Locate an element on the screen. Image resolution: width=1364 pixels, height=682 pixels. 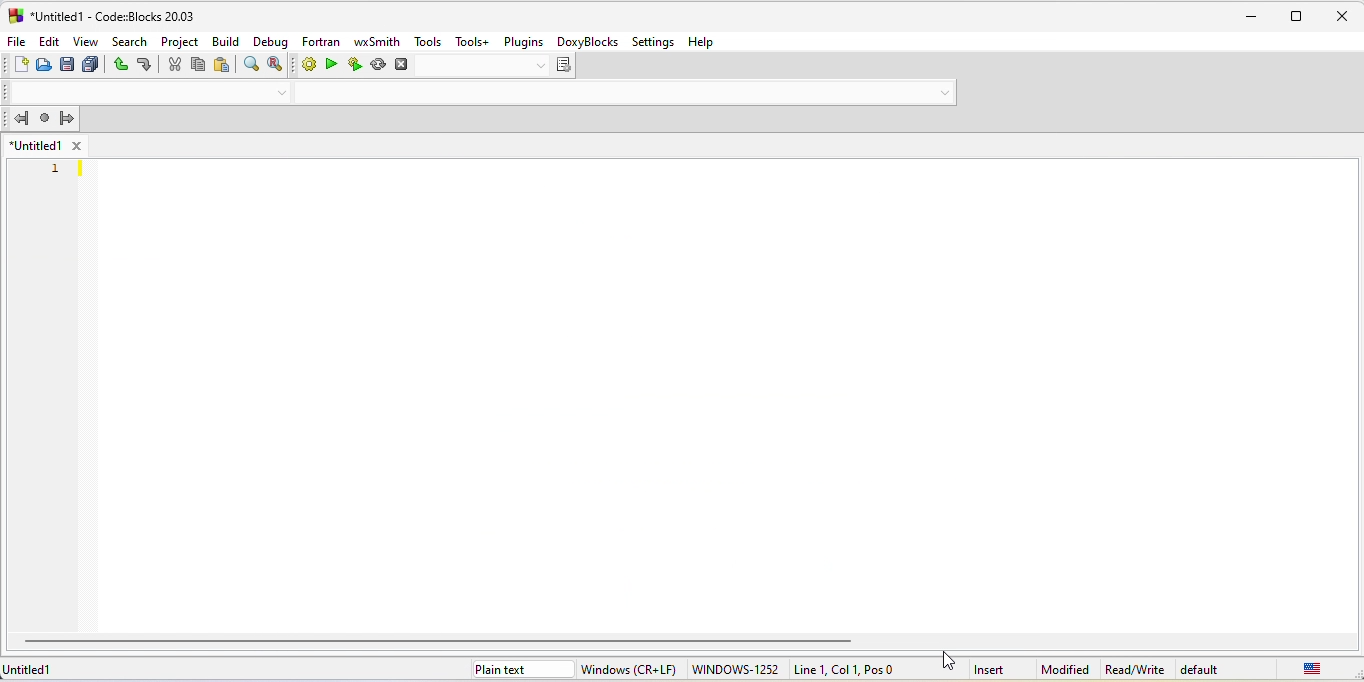
find is located at coordinates (252, 63).